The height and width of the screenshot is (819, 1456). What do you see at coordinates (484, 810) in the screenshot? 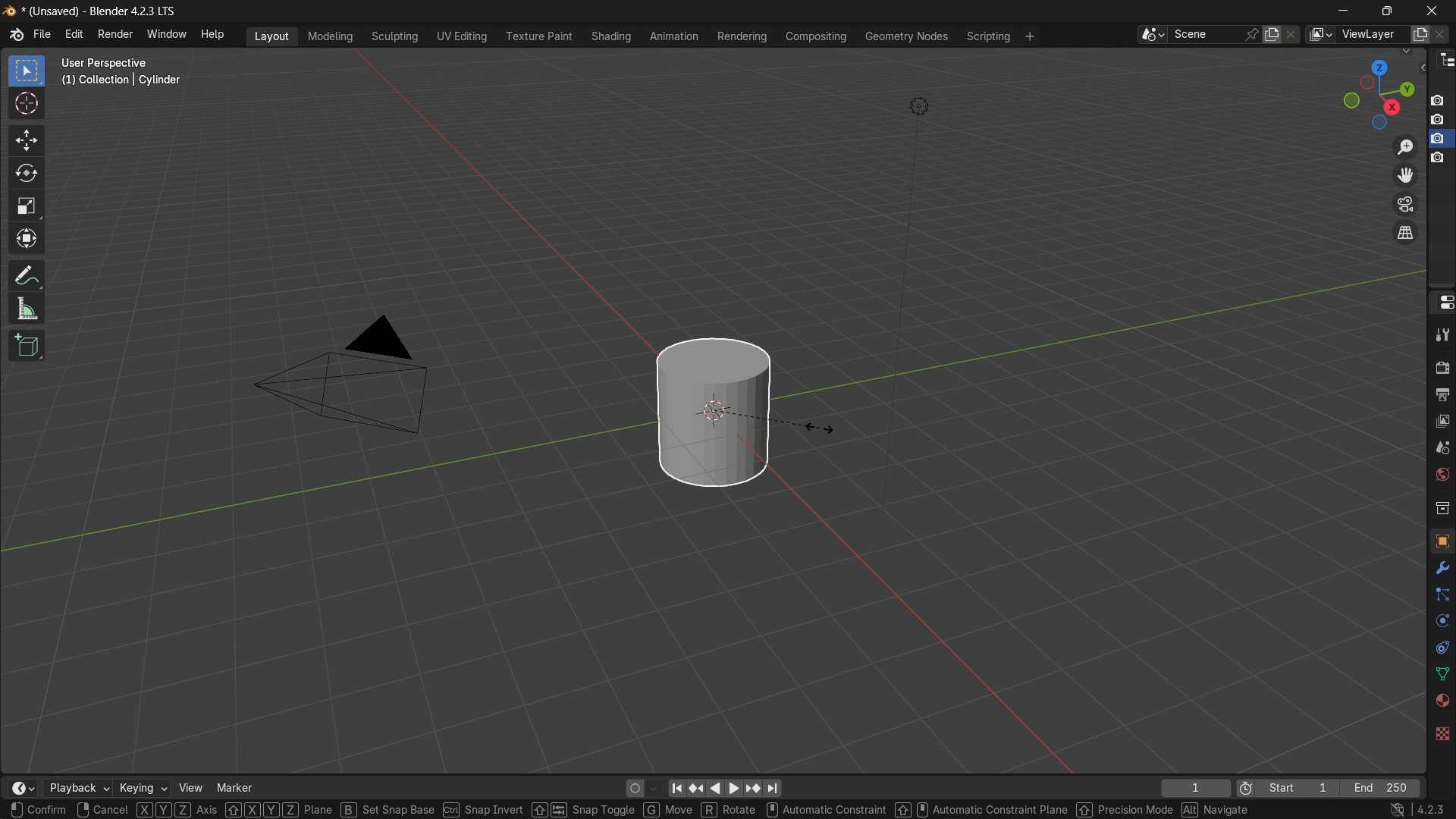
I see `press ctrl for snap invert` at bounding box center [484, 810].